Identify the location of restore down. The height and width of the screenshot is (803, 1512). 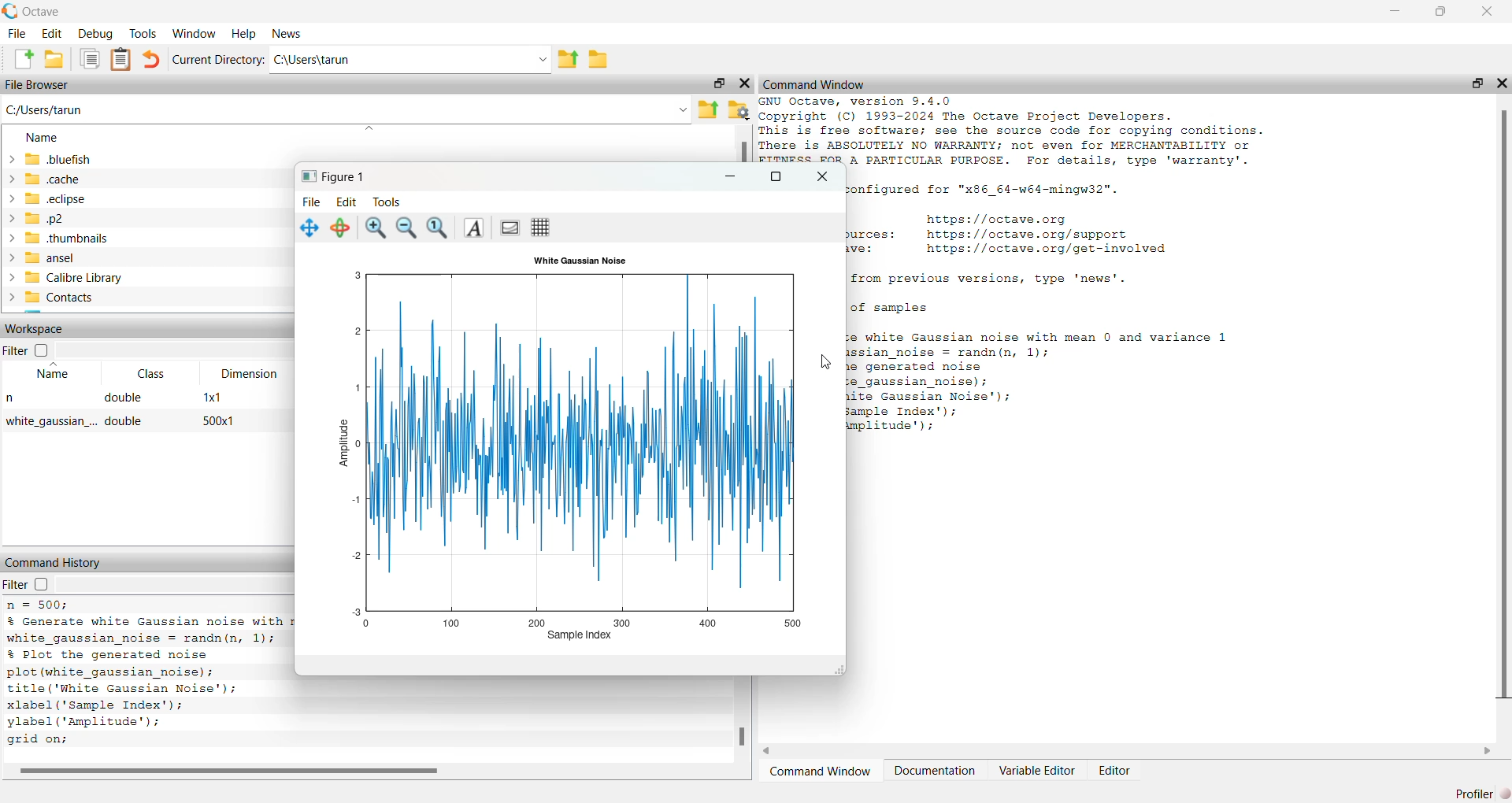
(720, 83).